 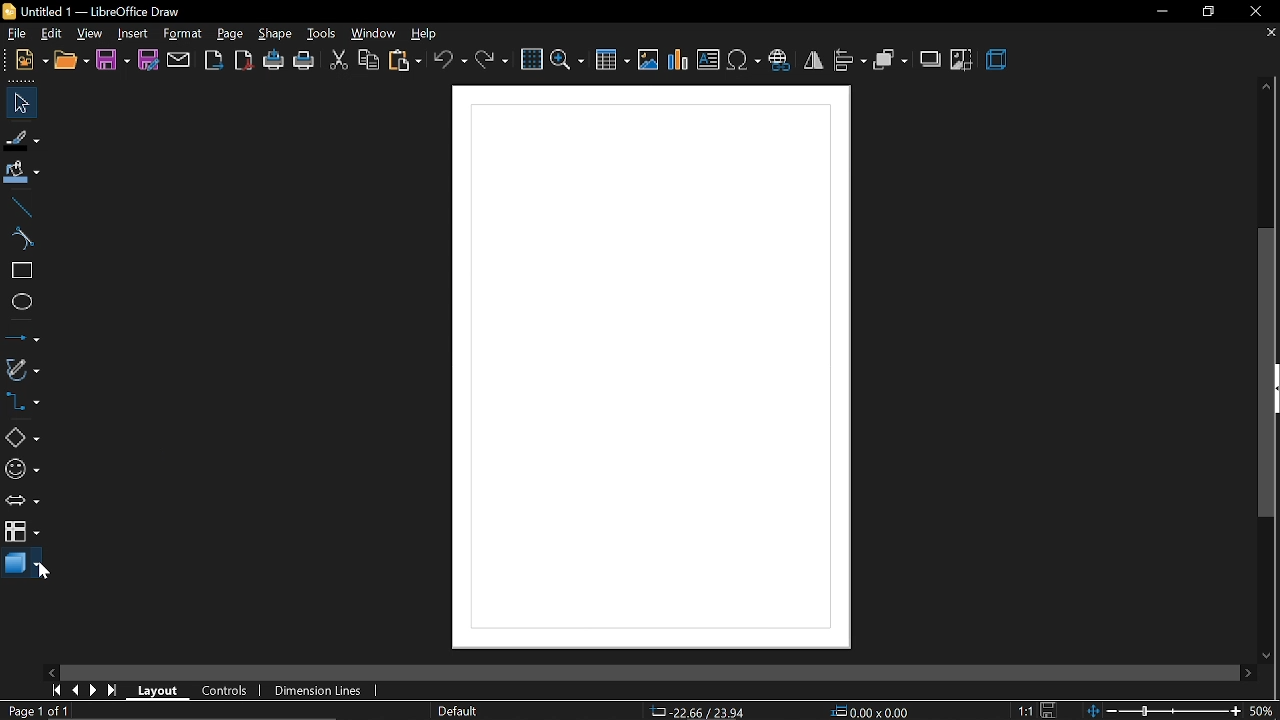 I want to click on format, so click(x=183, y=33).